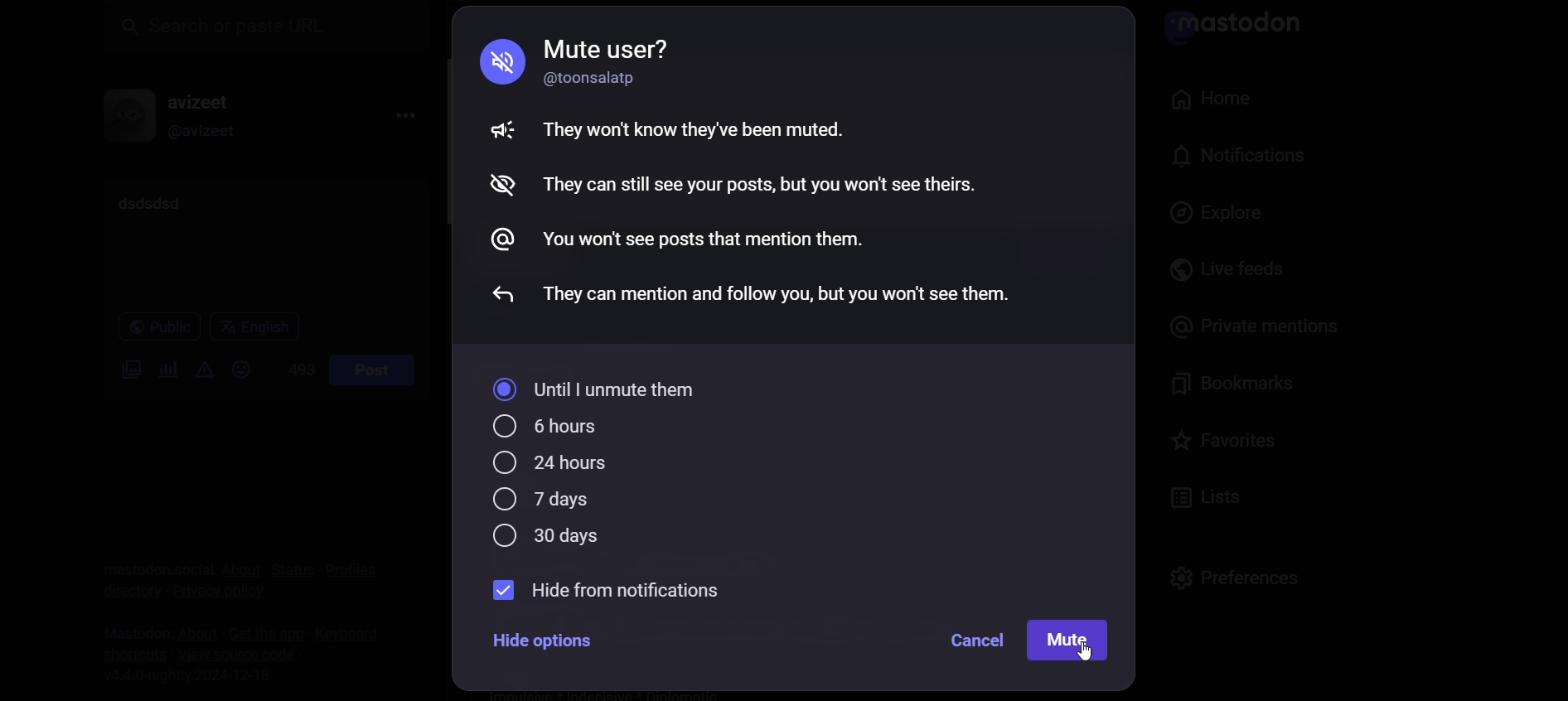 The height and width of the screenshot is (701, 1568). I want to click on private mentions, so click(1250, 335).